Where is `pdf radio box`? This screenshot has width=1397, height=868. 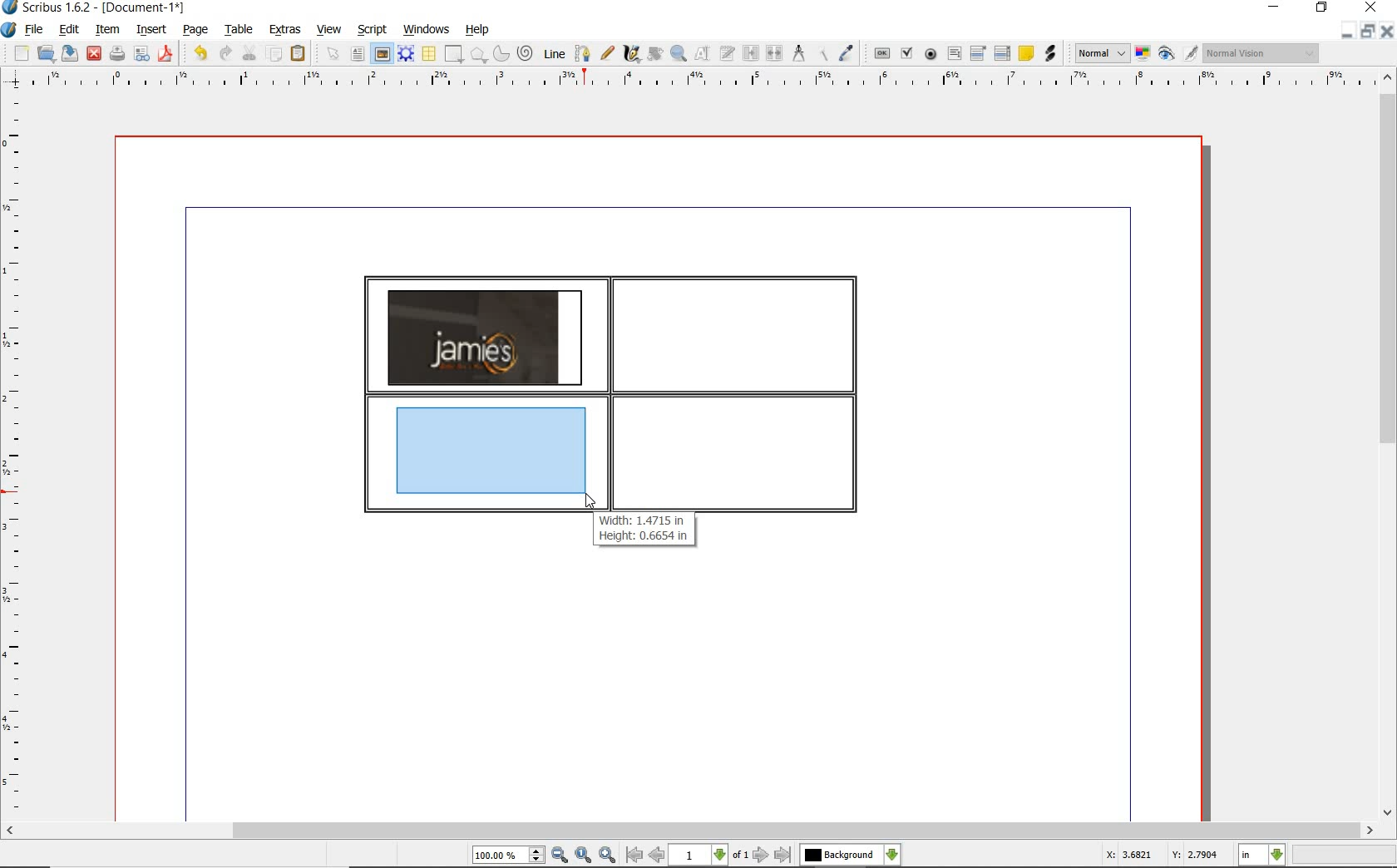
pdf radio box is located at coordinates (931, 55).